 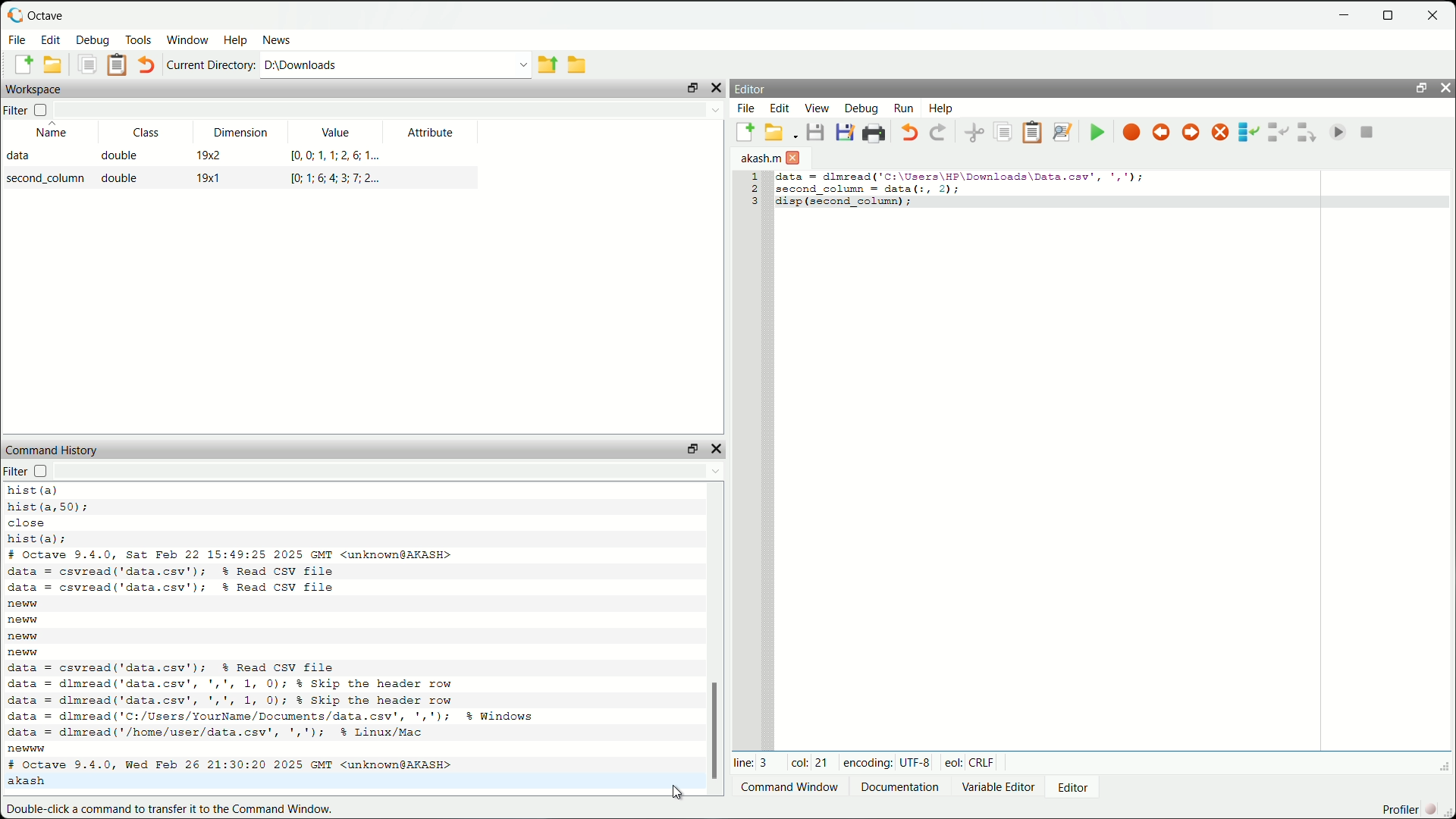 What do you see at coordinates (340, 180) in the screenshot?
I see `[0;1;6;4;3;7;2...` at bounding box center [340, 180].